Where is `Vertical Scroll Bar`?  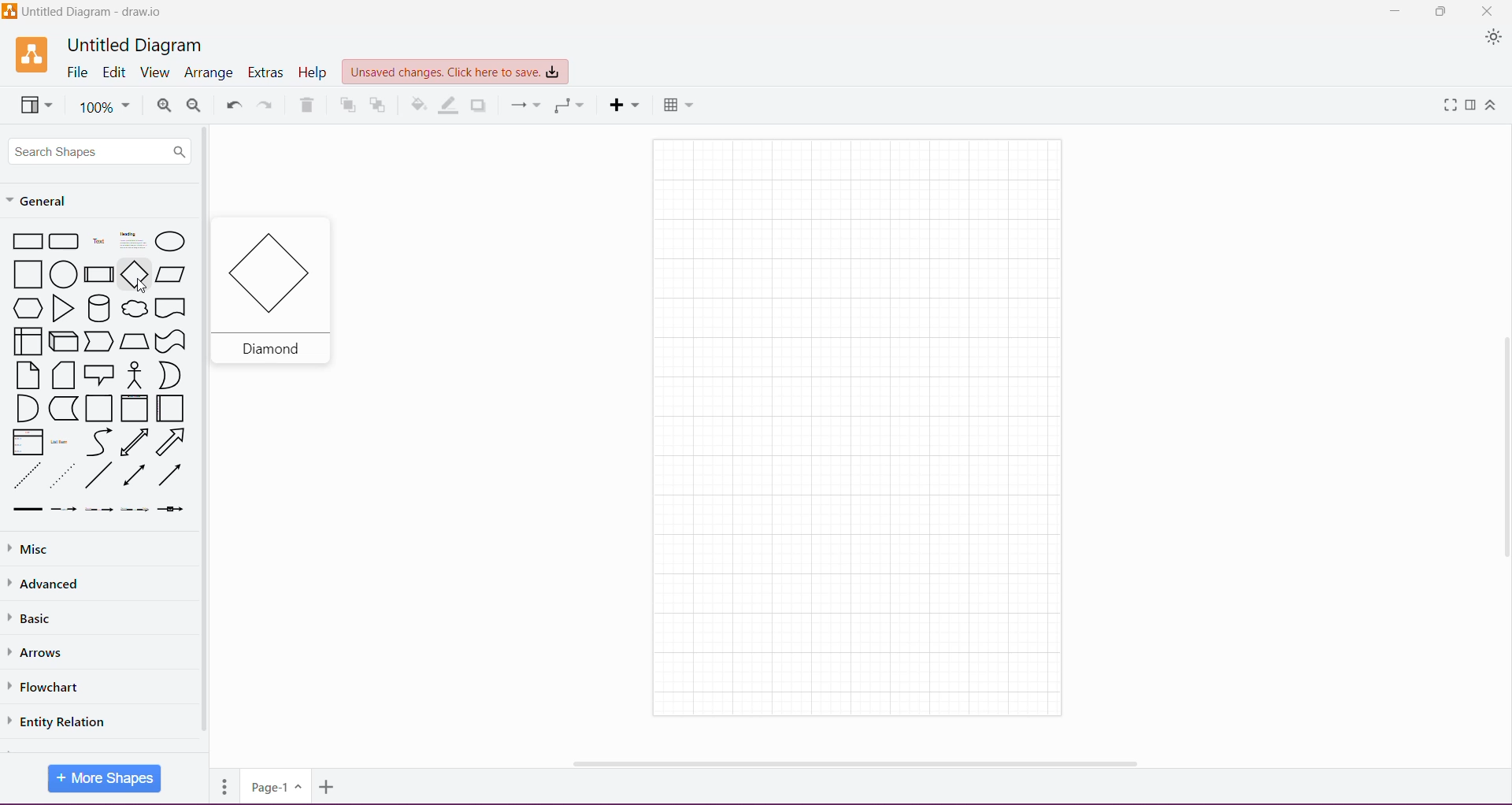
Vertical Scroll Bar is located at coordinates (204, 432).